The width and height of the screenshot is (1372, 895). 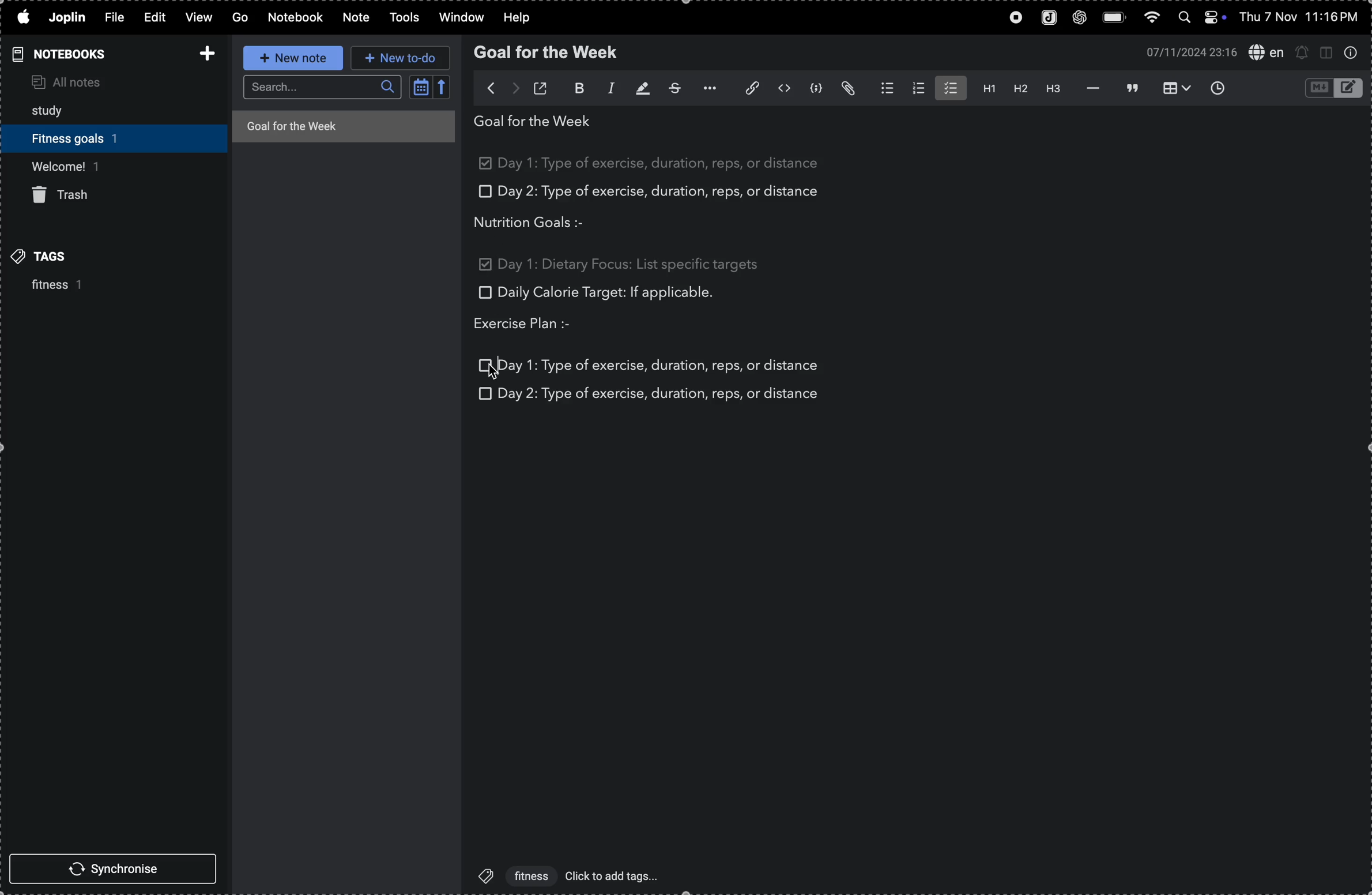 I want to click on insert table, so click(x=1178, y=88).